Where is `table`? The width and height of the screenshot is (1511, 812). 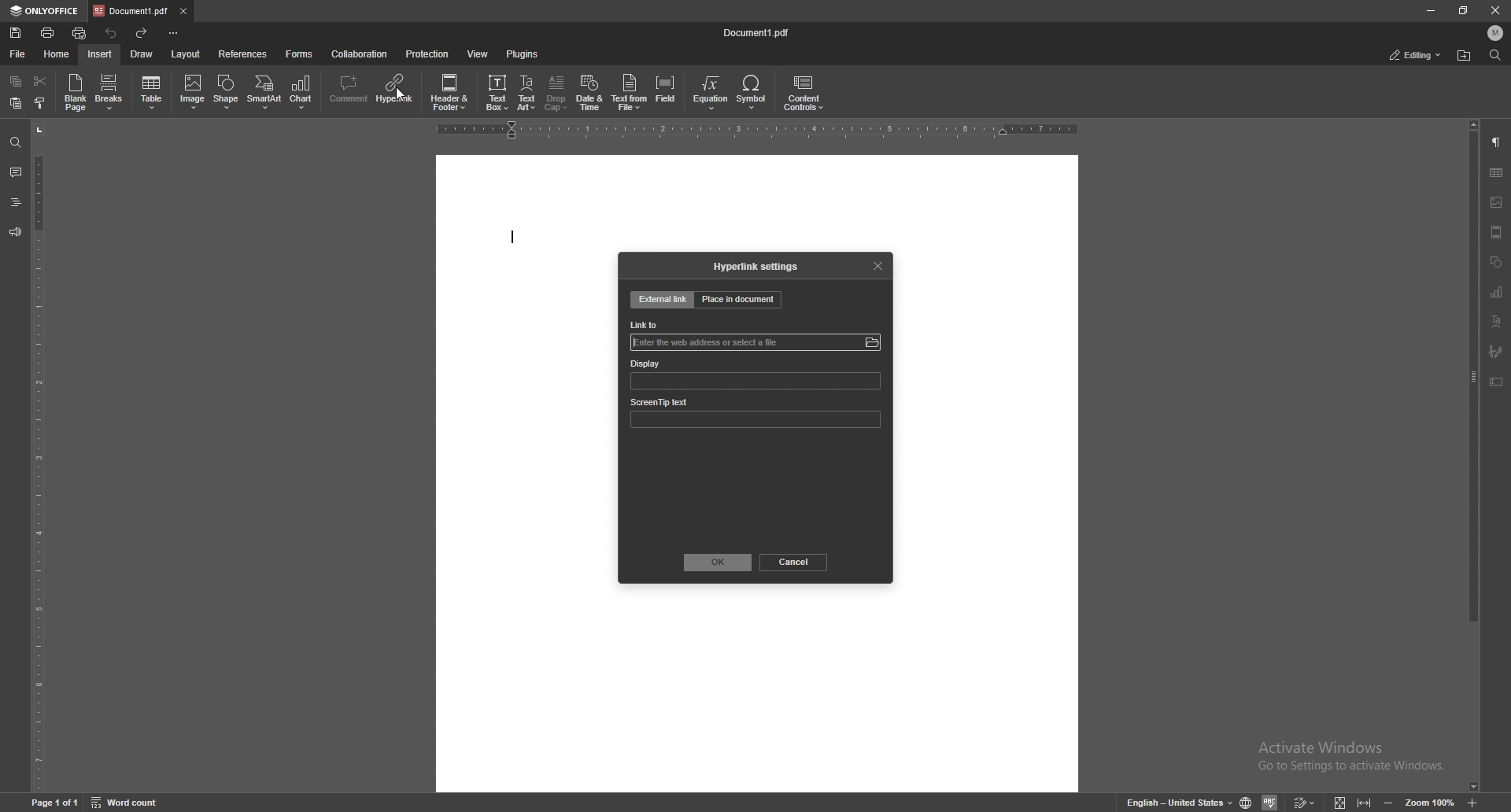 table is located at coordinates (1496, 172).